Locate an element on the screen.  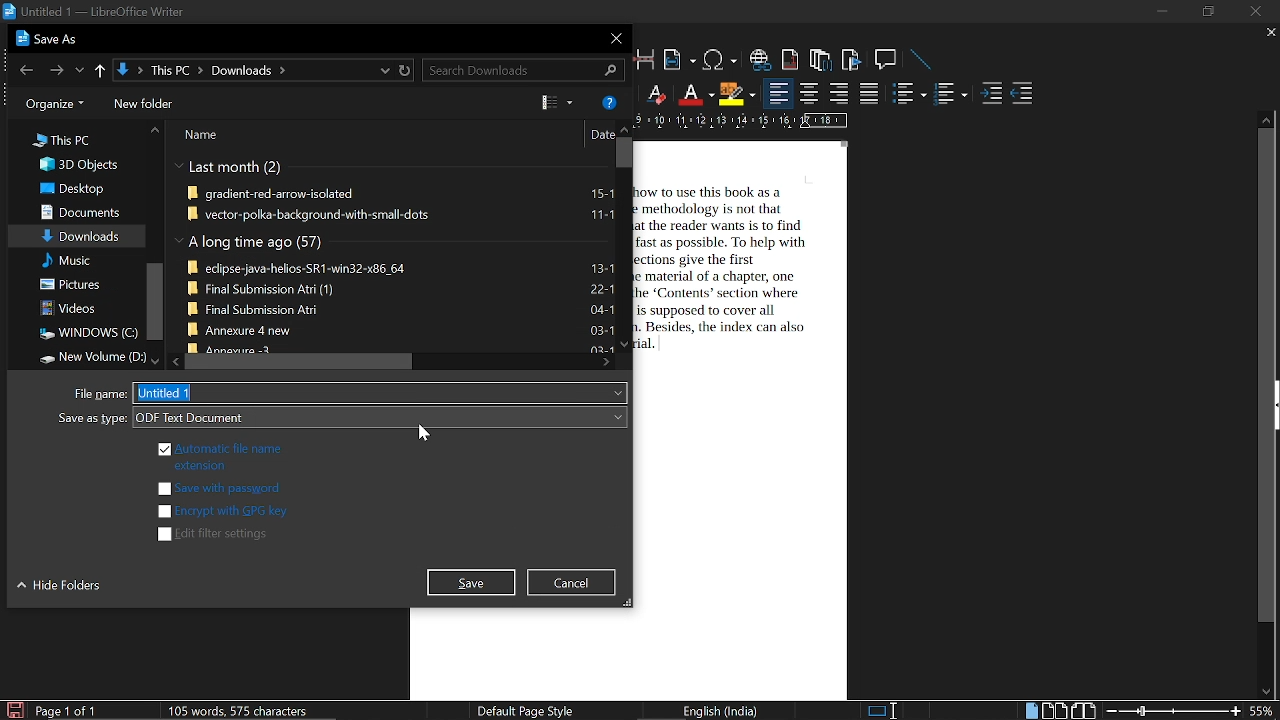
insert symbol is located at coordinates (722, 60).